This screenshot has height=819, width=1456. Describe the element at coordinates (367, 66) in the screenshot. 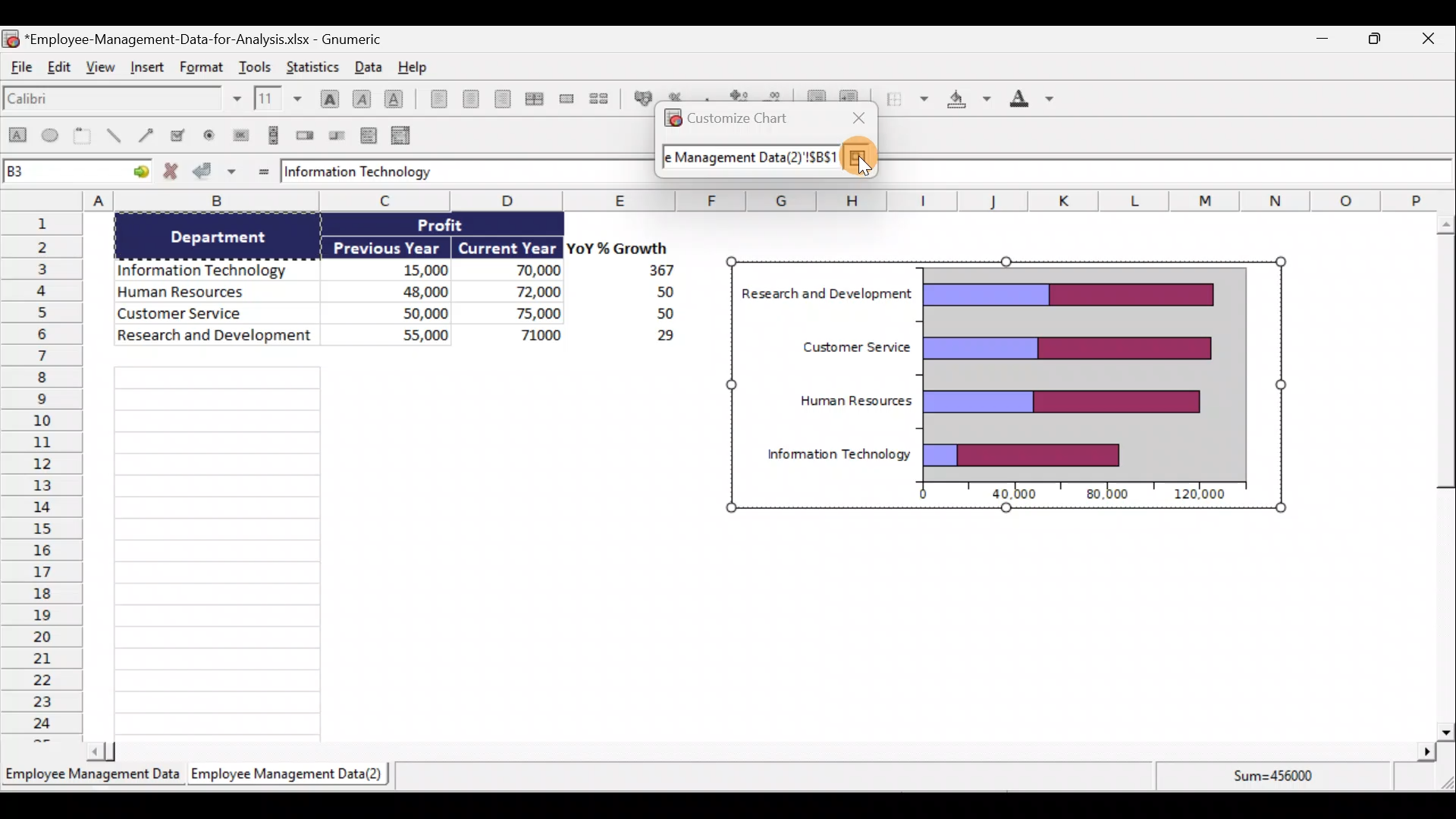

I see `Data` at that location.